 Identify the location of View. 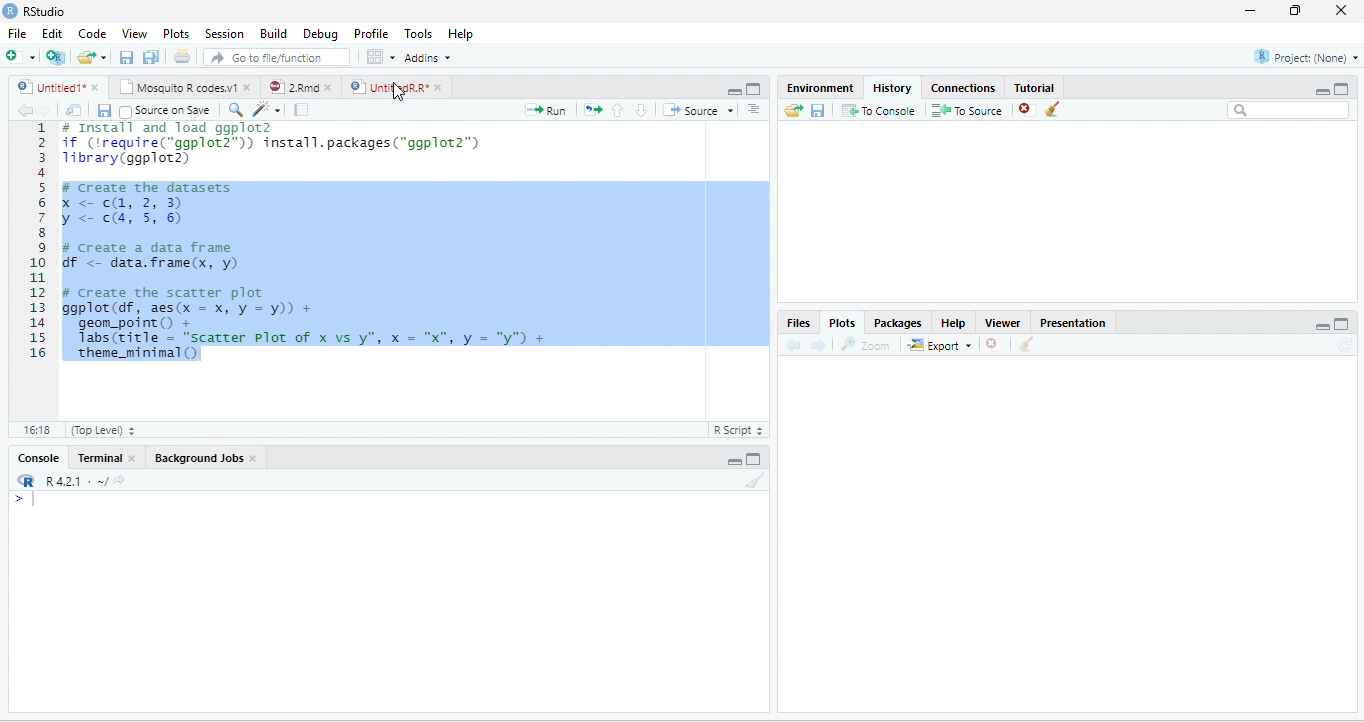
(134, 33).